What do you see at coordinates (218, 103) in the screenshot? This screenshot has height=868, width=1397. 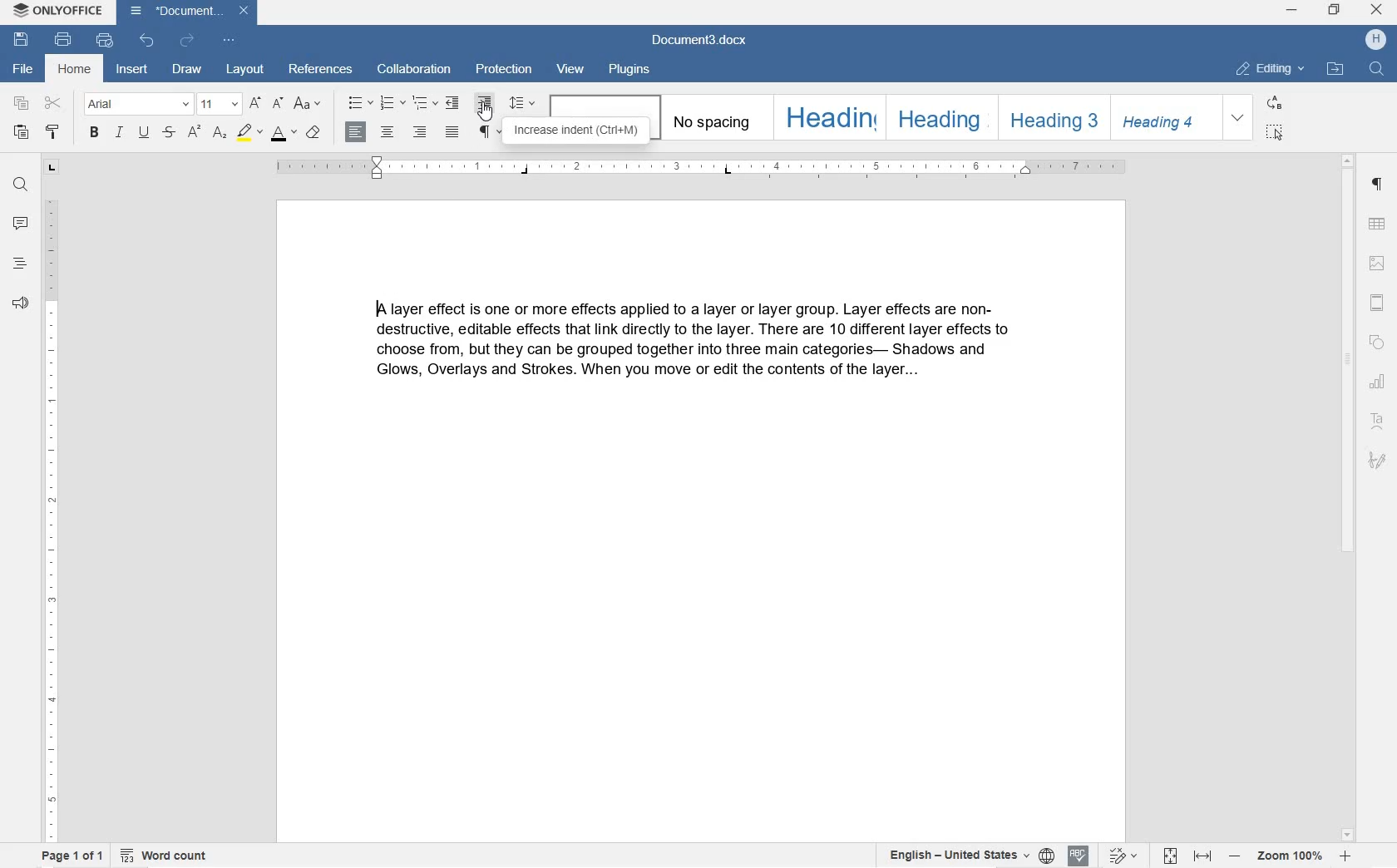 I see `FONT SIZE` at bounding box center [218, 103].